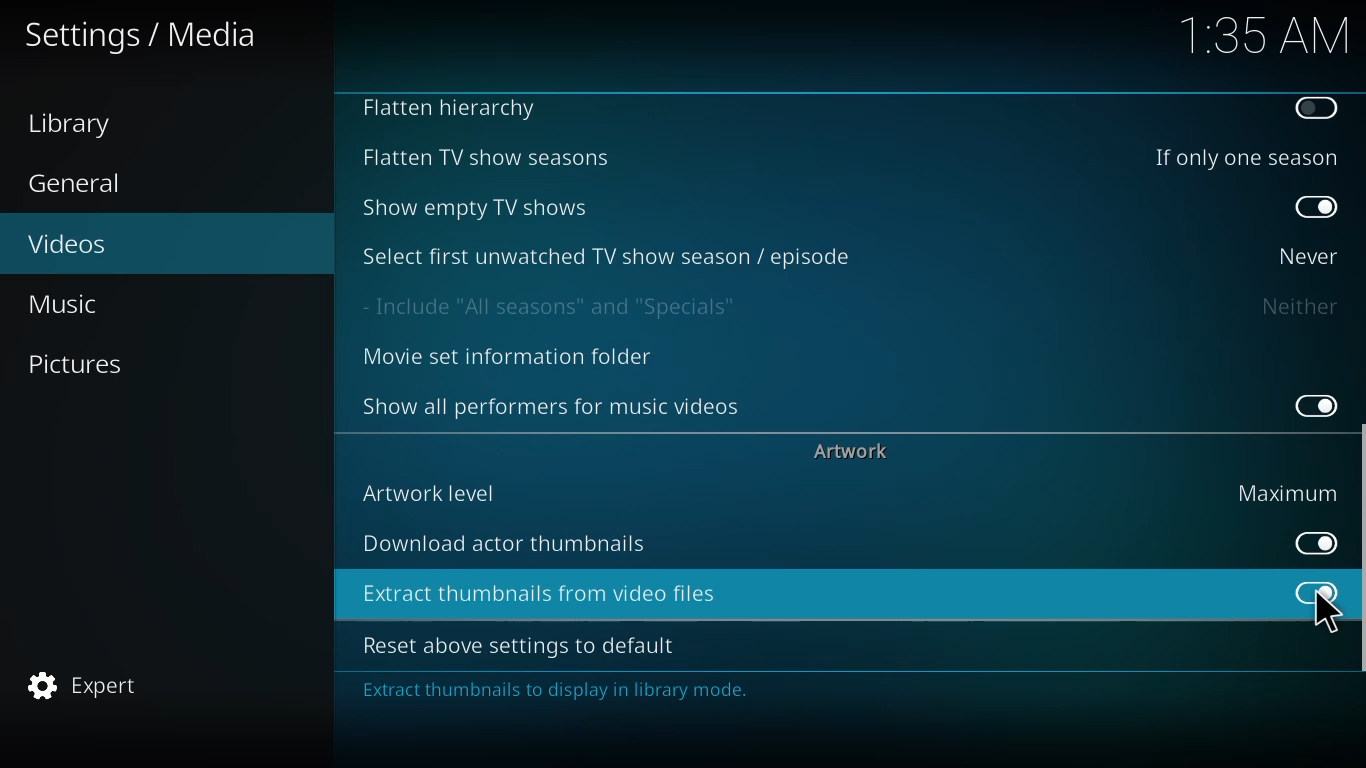 The width and height of the screenshot is (1366, 768). I want to click on neither, so click(1298, 306).